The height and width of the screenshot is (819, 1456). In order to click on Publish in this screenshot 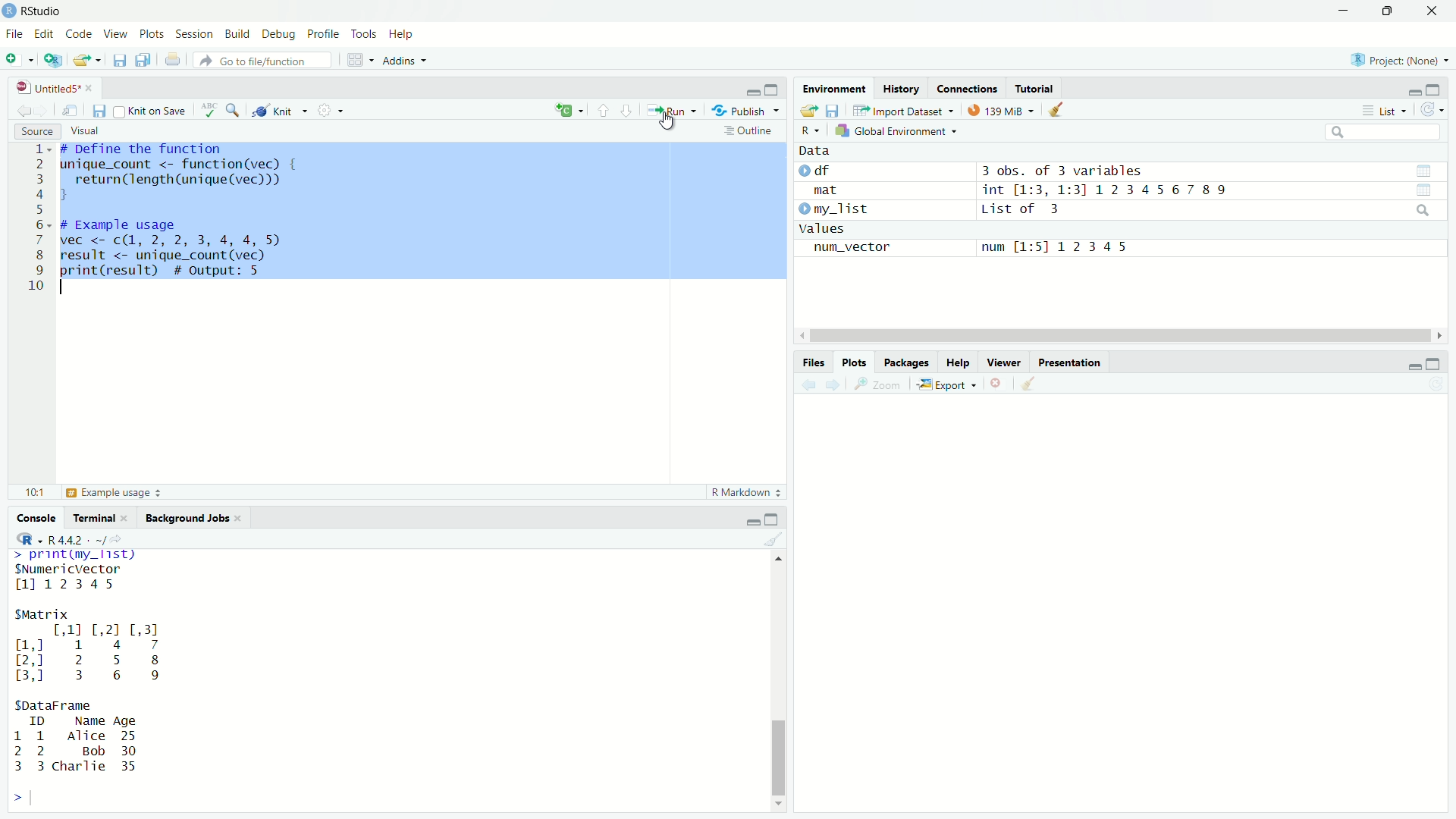, I will do `click(744, 110)`.